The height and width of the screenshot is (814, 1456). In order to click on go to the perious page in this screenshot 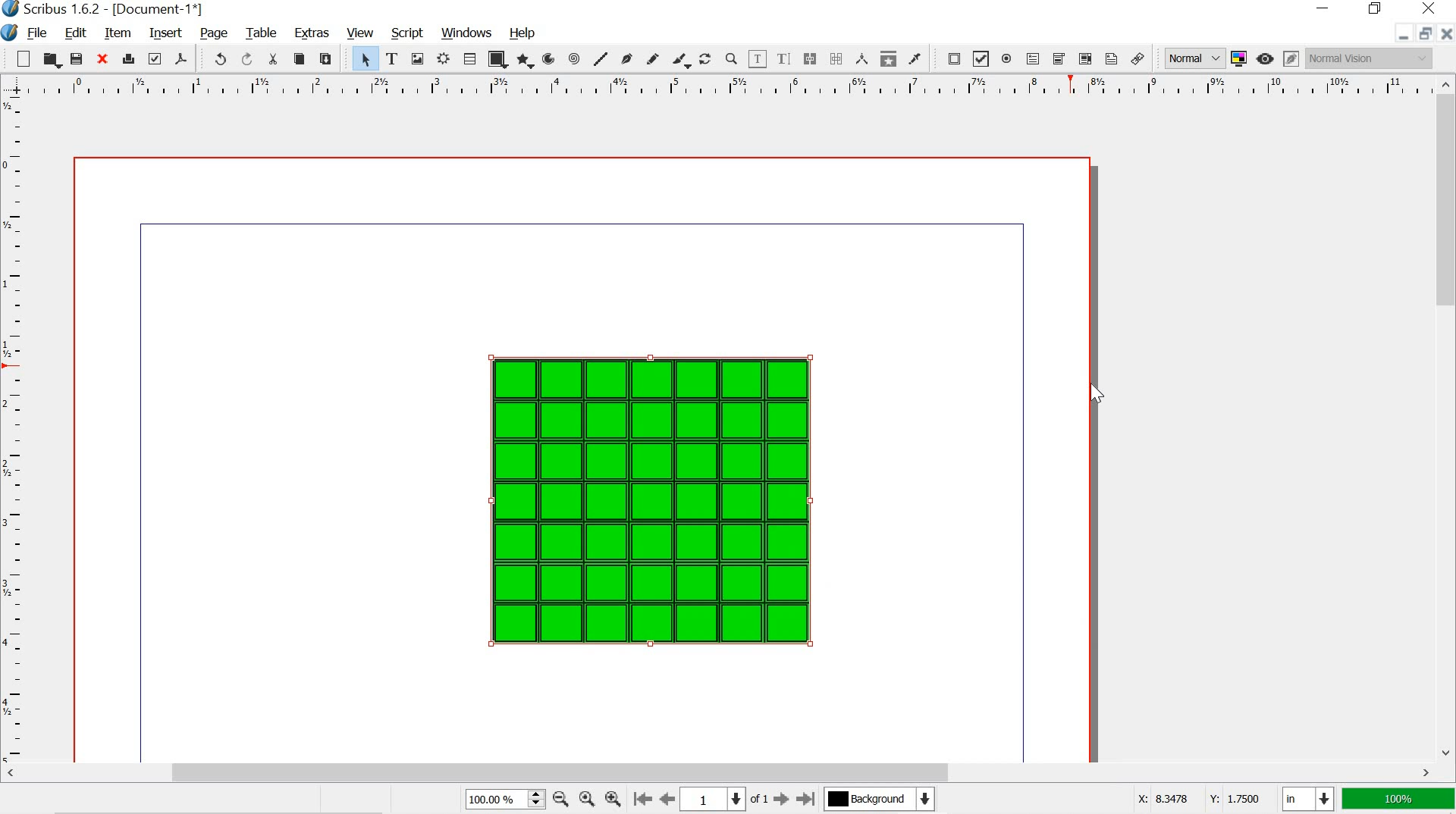, I will do `click(669, 798)`.